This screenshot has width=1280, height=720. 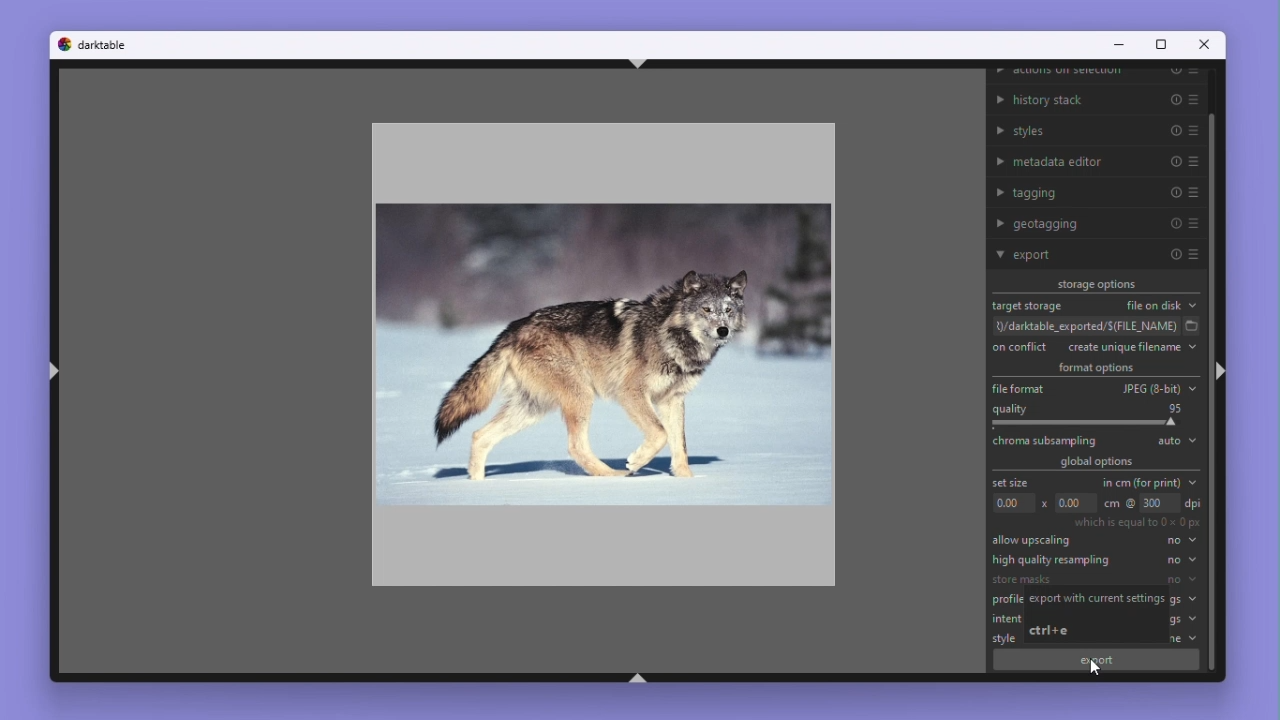 I want to click on Dimensions, so click(x=1083, y=503).